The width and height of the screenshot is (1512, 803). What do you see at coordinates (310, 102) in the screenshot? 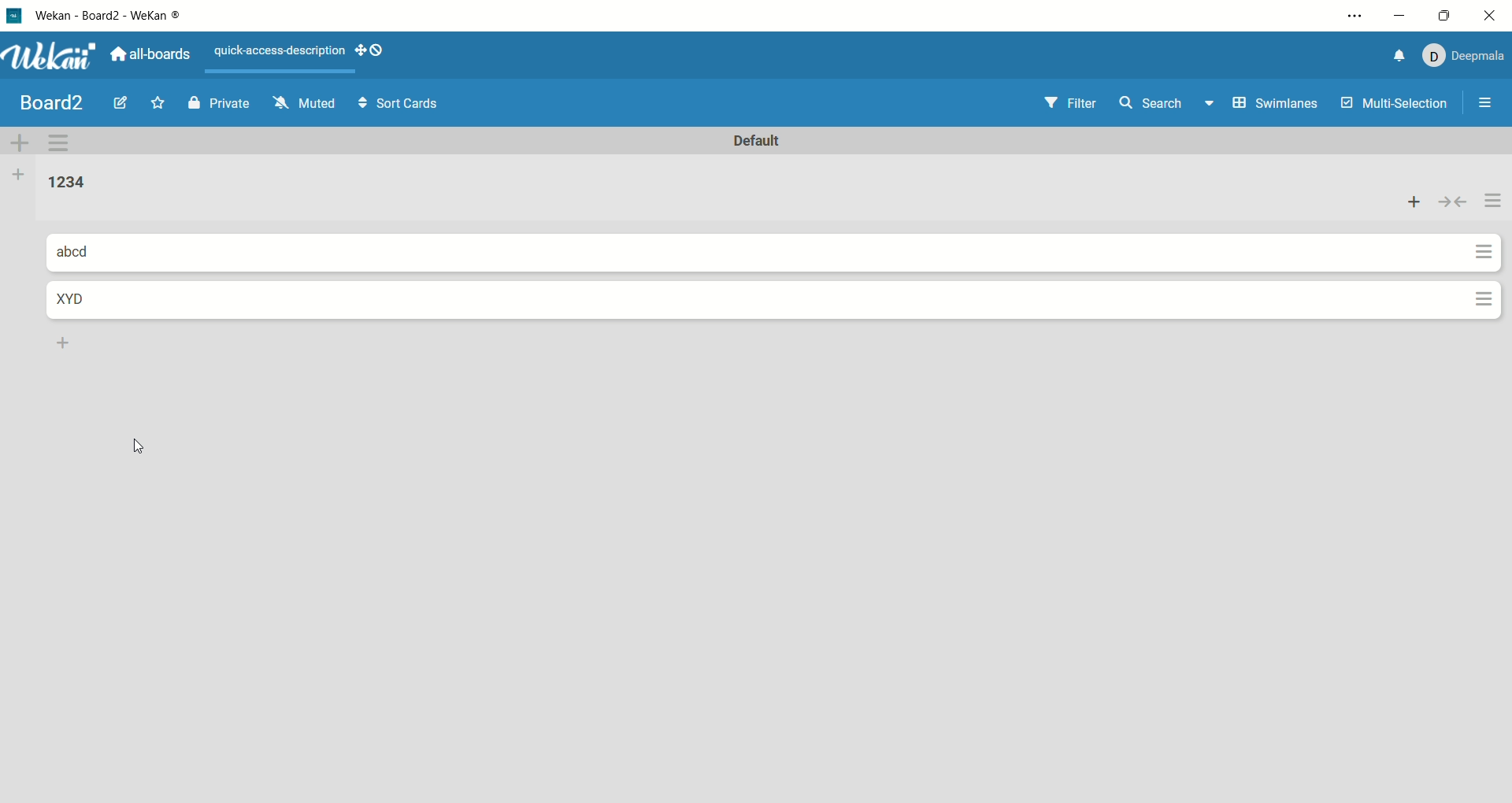
I see `muted` at bounding box center [310, 102].